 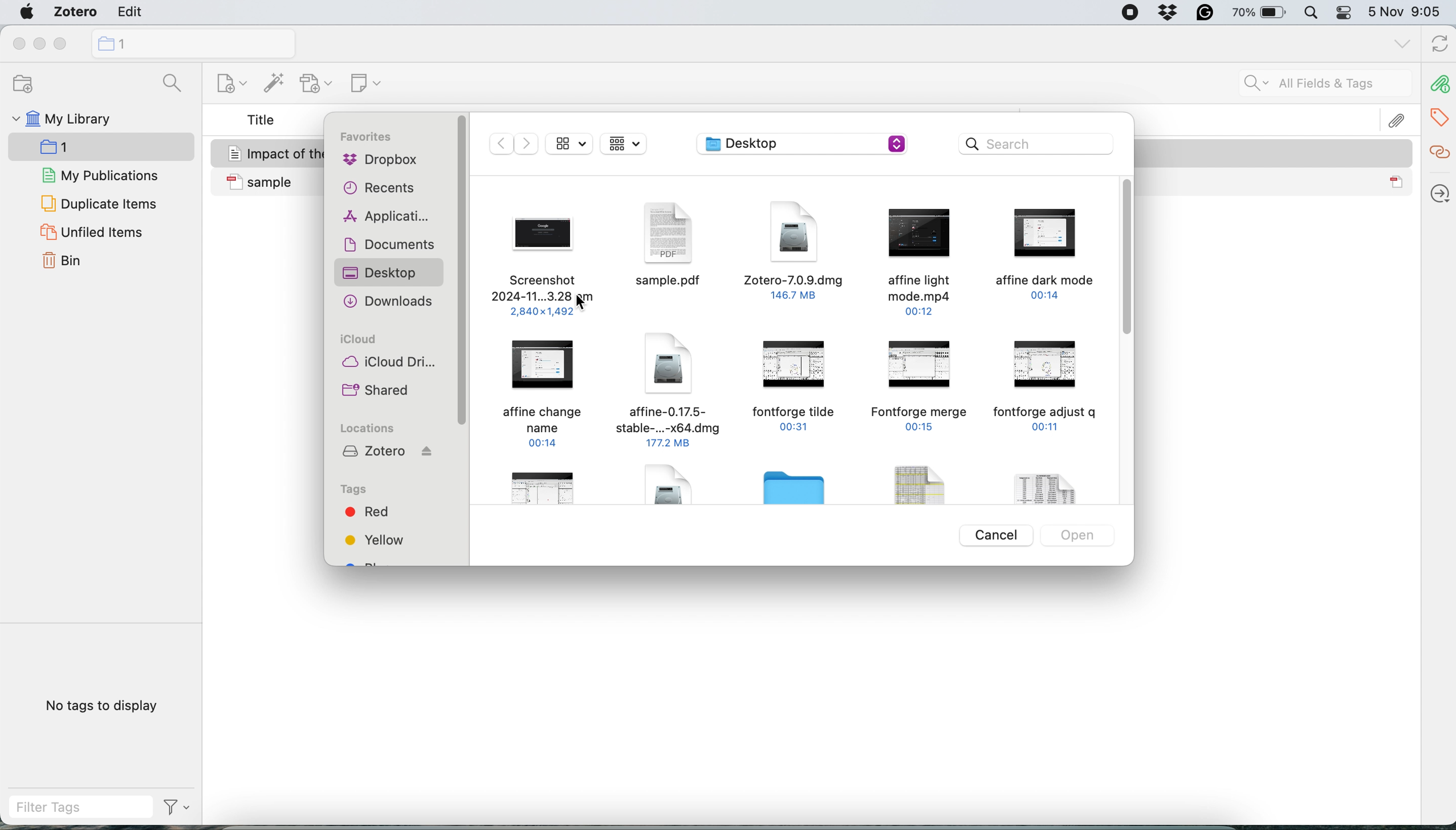 I want to click on control center, so click(x=1344, y=15).